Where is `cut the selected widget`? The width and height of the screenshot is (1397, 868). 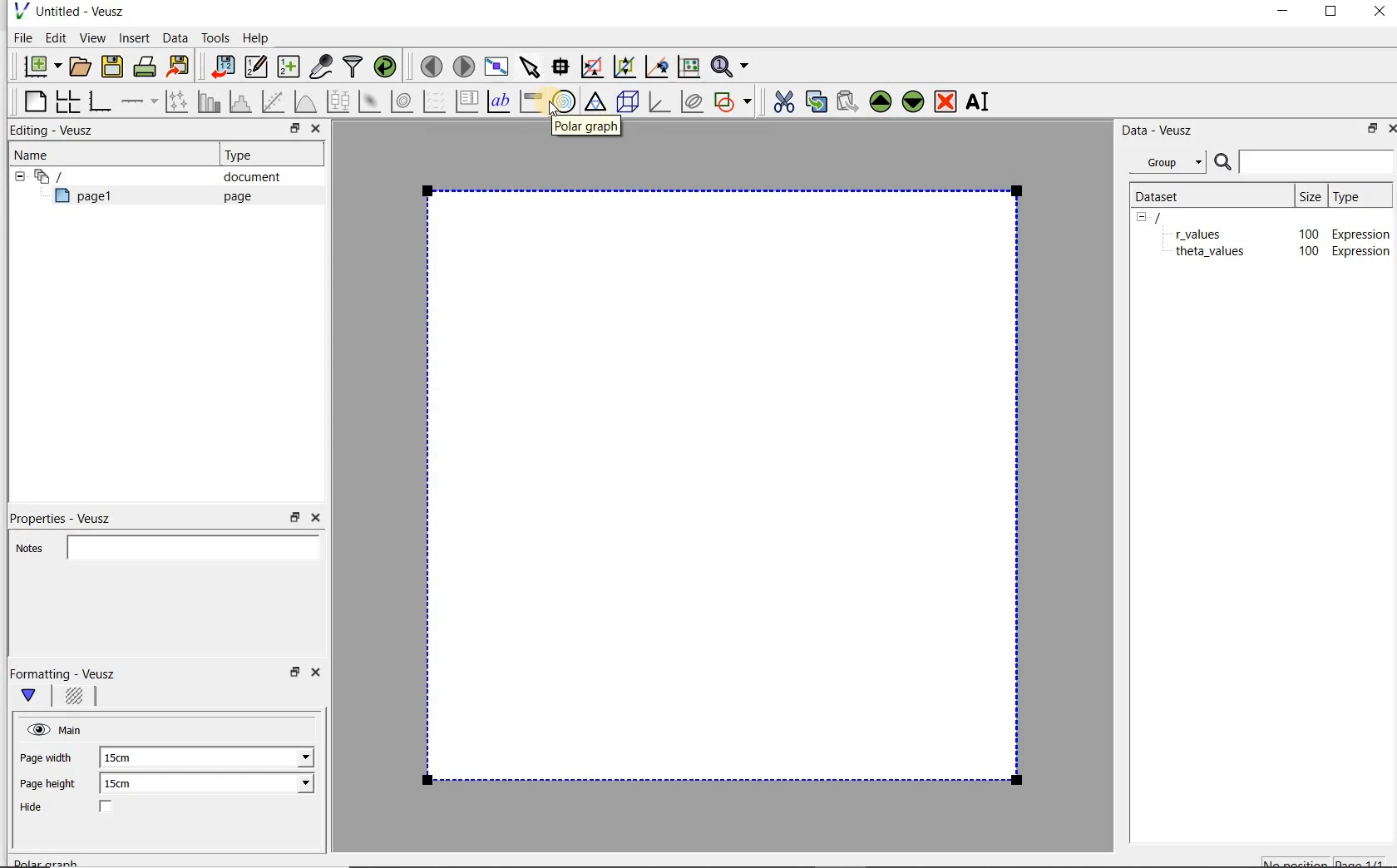 cut the selected widget is located at coordinates (781, 100).